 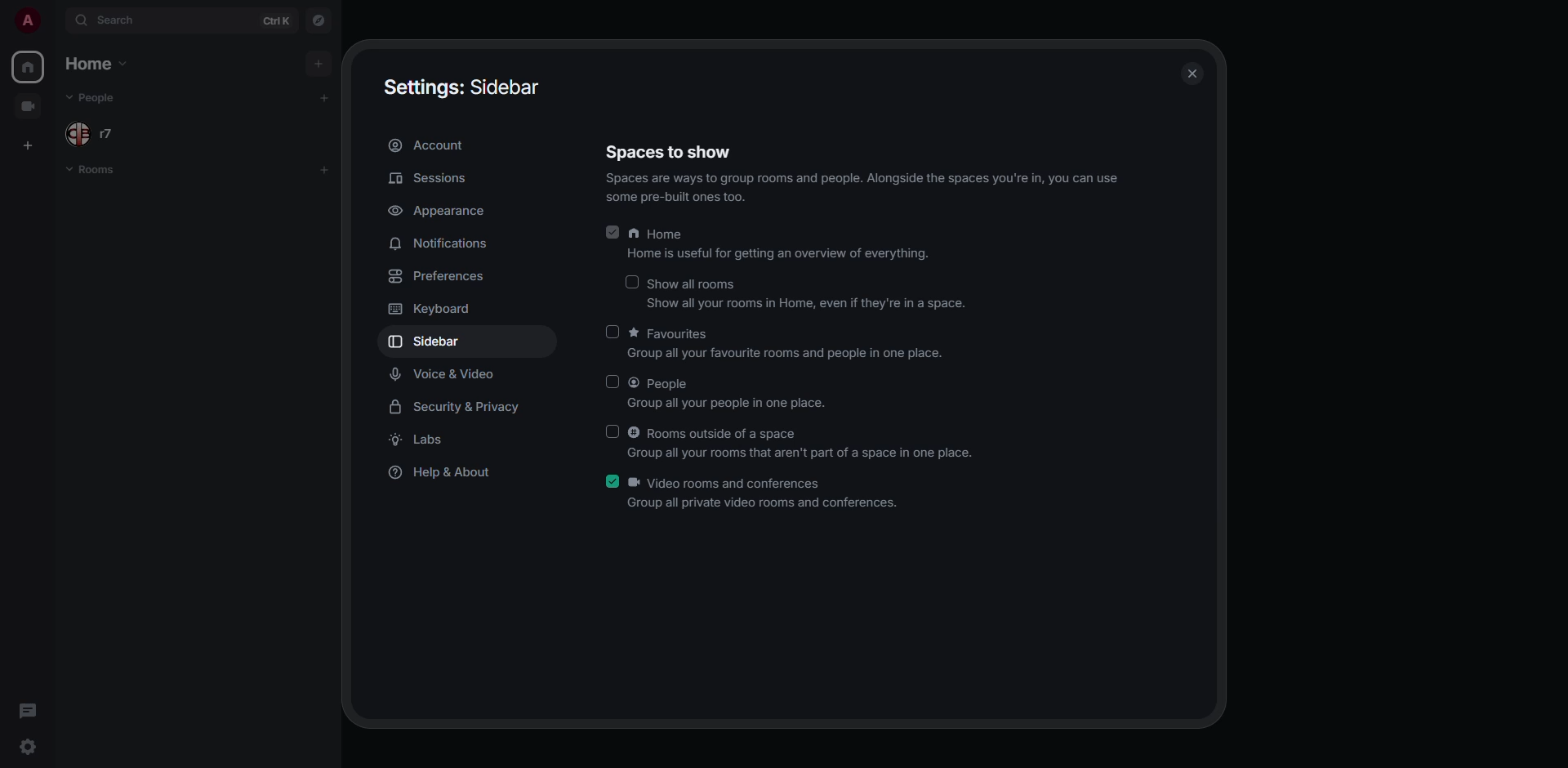 I want to click on enabled, so click(x=612, y=233).